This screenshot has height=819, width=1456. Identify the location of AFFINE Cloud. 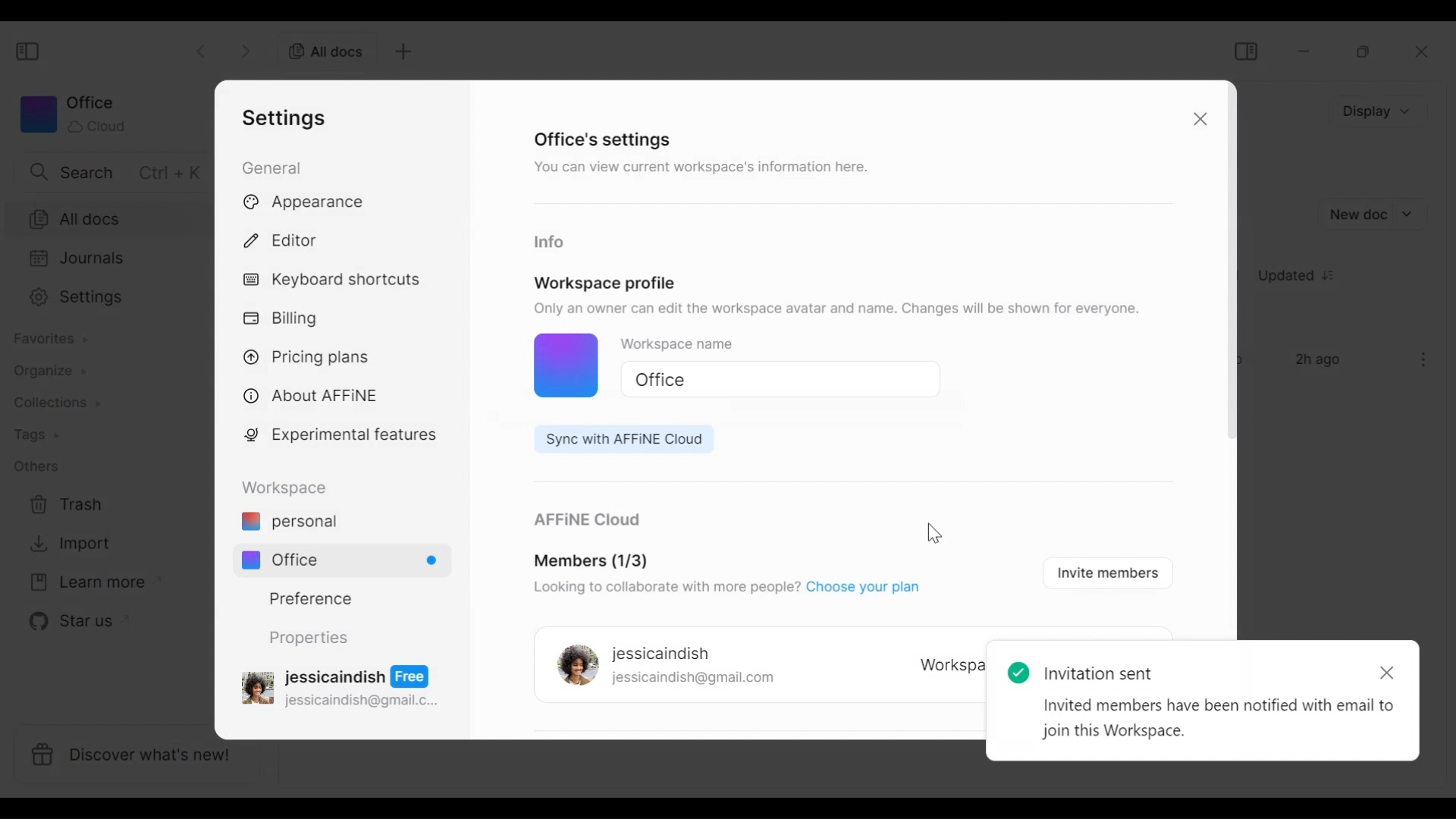
(585, 521).